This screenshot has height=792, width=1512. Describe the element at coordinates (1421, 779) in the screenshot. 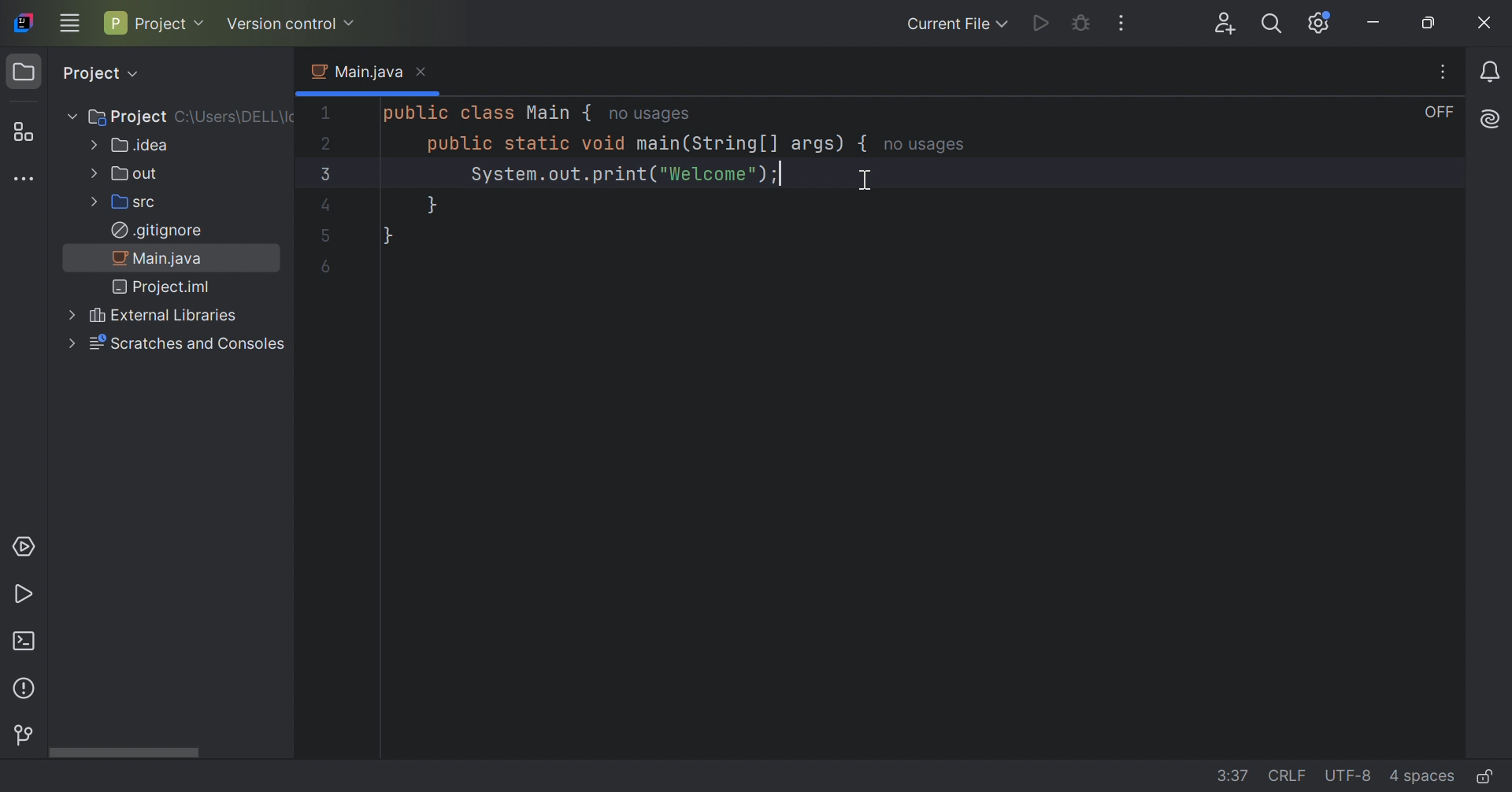

I see `4 spaces` at that location.